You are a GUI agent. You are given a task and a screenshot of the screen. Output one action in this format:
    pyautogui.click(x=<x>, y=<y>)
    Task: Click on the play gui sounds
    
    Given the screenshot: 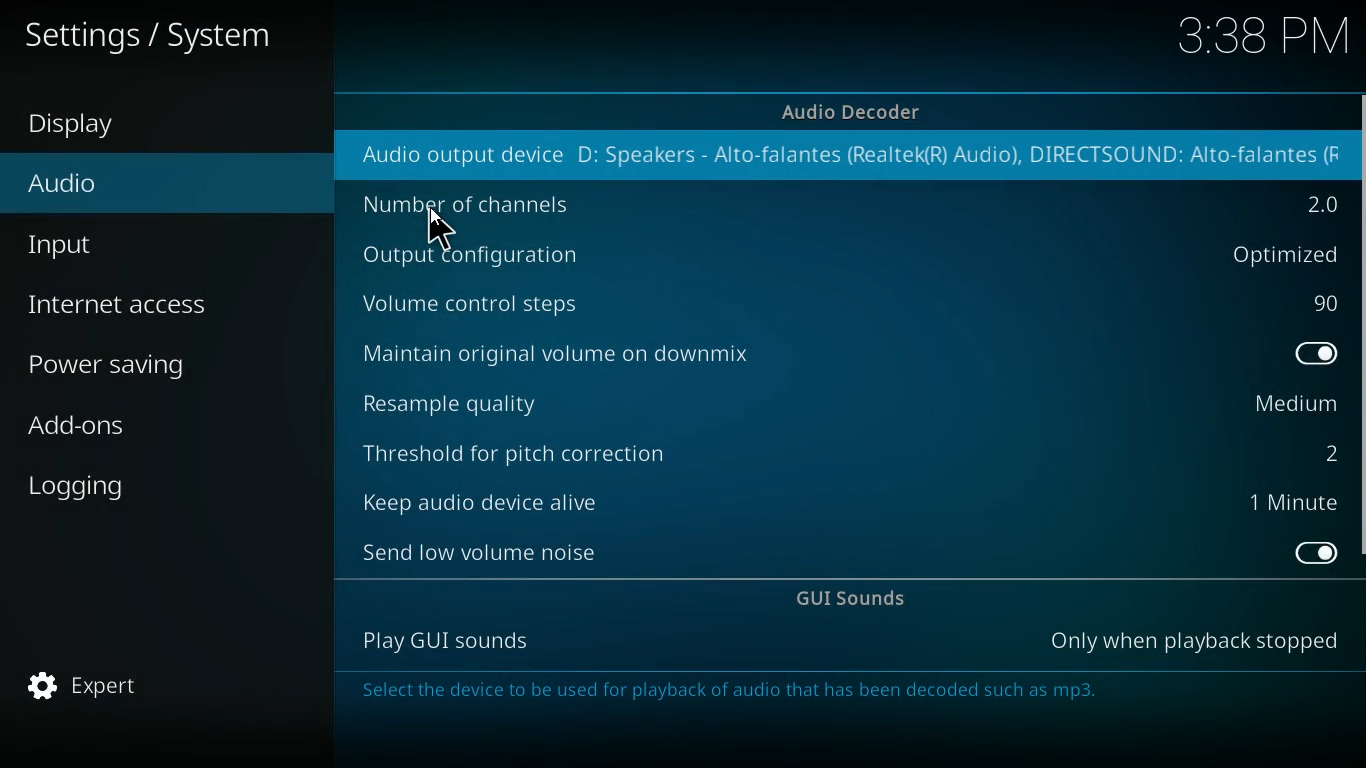 What is the action you would take?
    pyautogui.click(x=439, y=641)
    